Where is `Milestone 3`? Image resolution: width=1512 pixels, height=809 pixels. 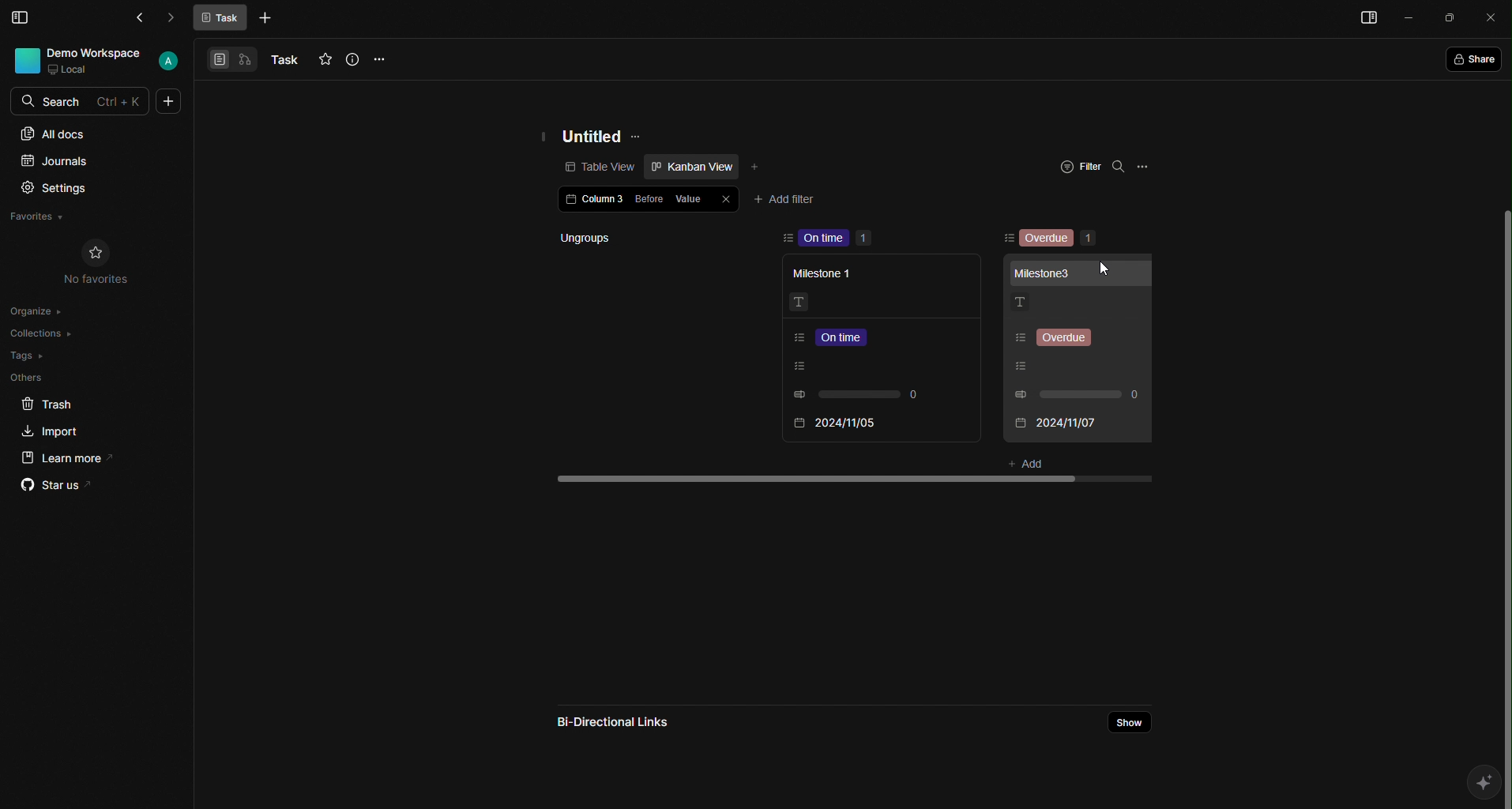 Milestone 3 is located at coordinates (1044, 272).